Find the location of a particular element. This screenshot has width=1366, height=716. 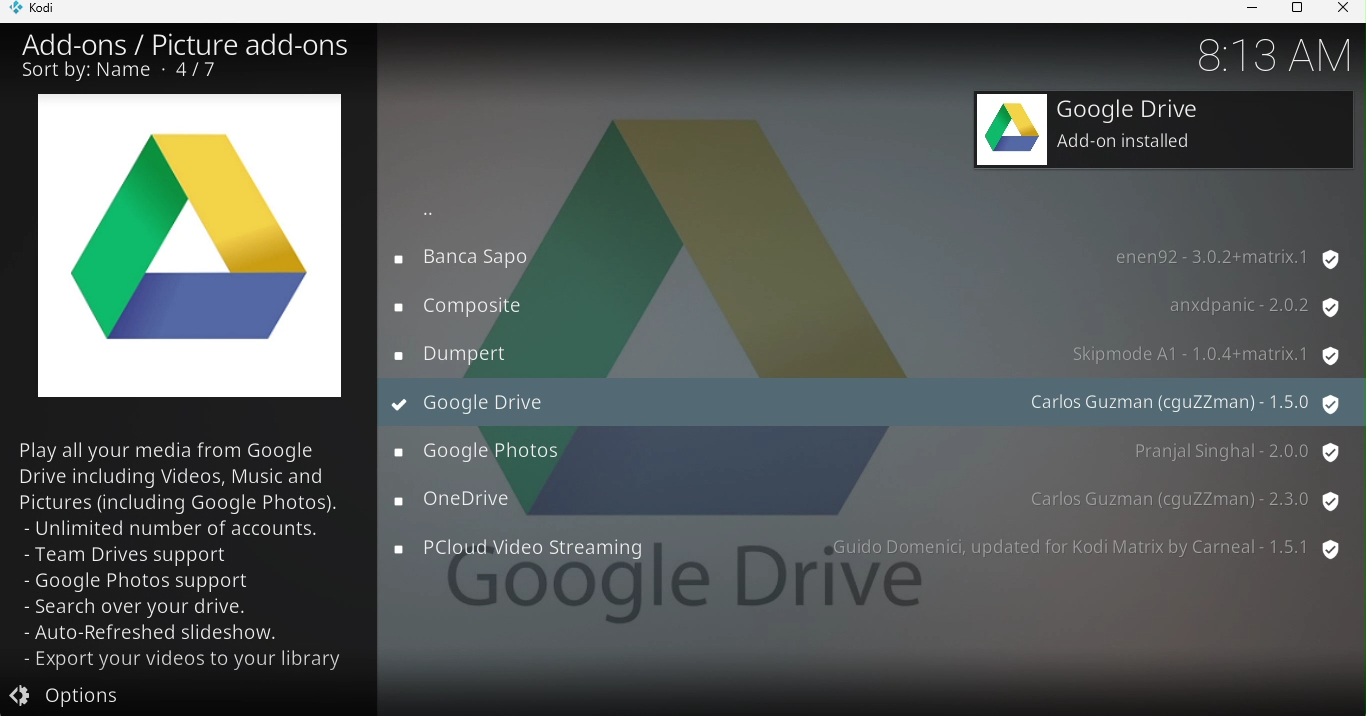

Add-ons/Picture add-ons Sort by name is located at coordinates (185, 57).